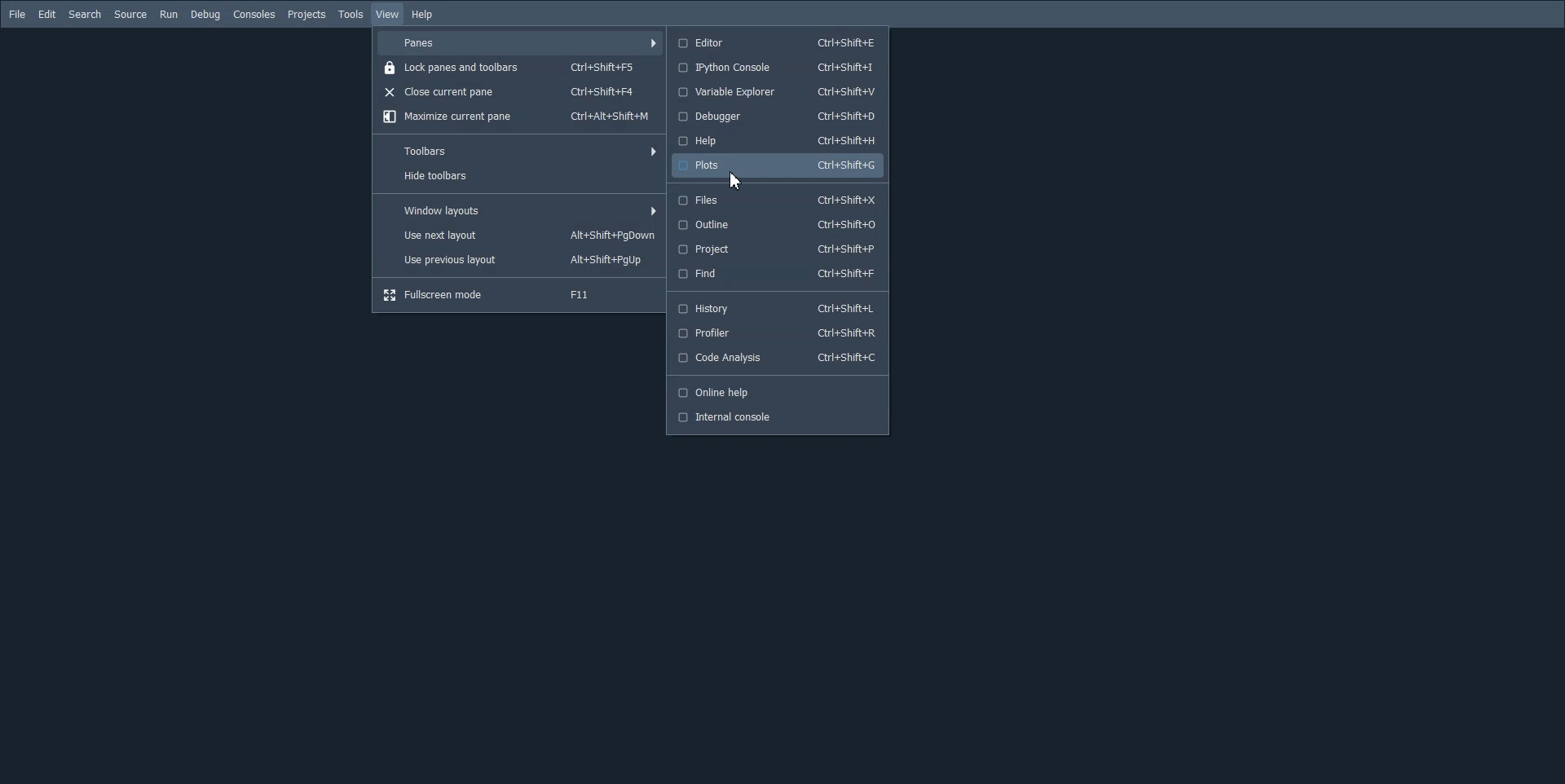 The image size is (1565, 784). I want to click on Use next layout, so click(518, 236).